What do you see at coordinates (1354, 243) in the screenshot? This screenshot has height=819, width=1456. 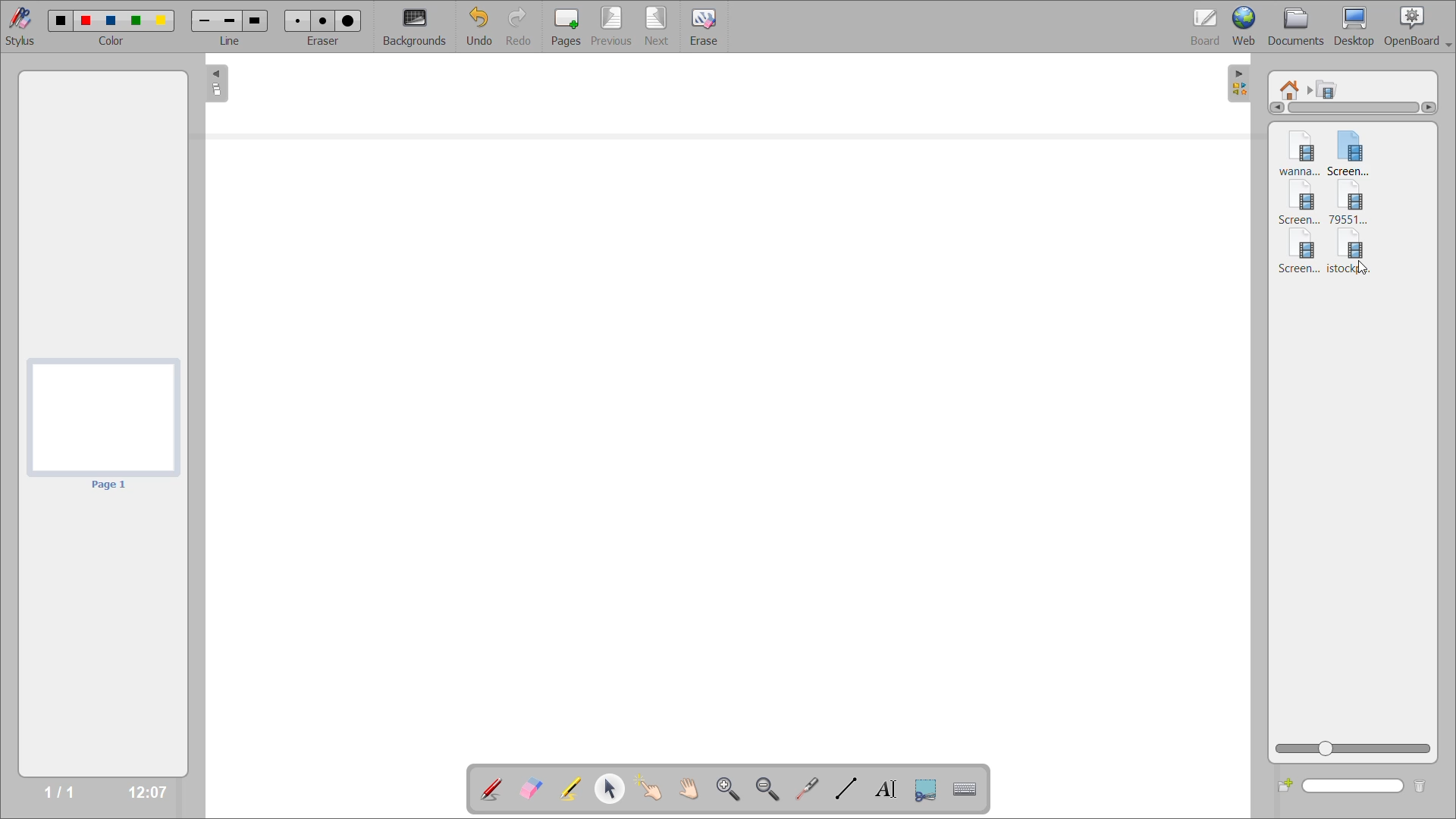 I see `video 6` at bounding box center [1354, 243].